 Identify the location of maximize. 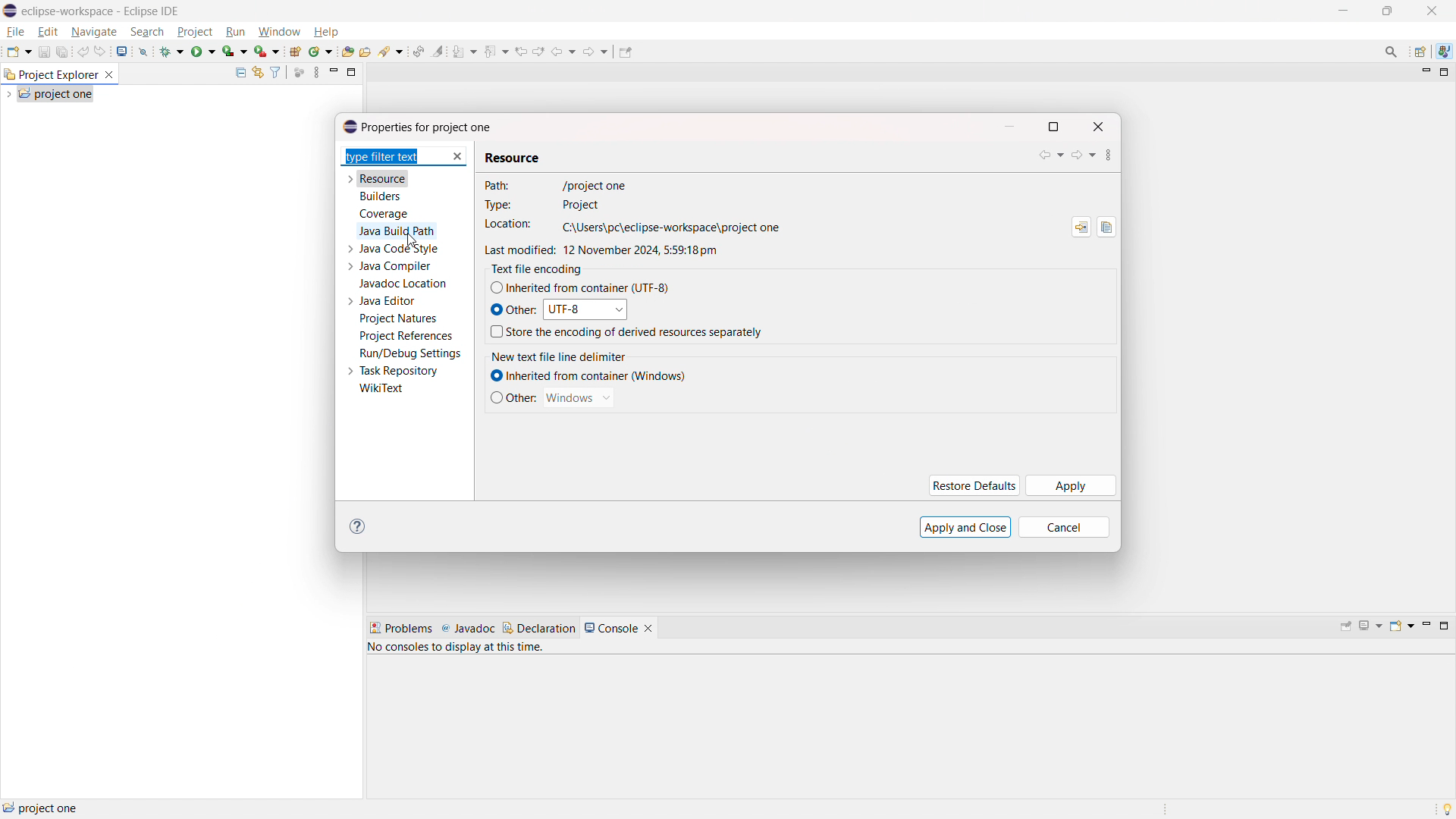
(352, 71).